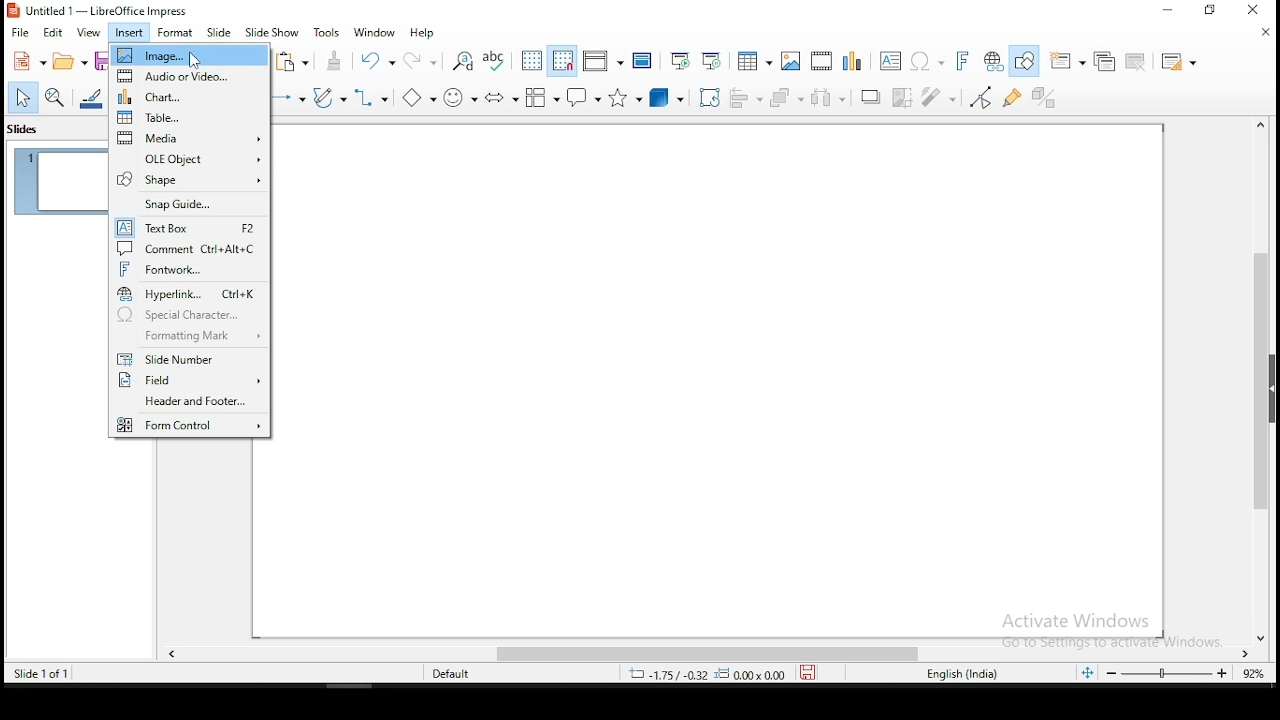 This screenshot has width=1280, height=720. Describe the element at coordinates (1169, 11) in the screenshot. I see `minimize` at that location.